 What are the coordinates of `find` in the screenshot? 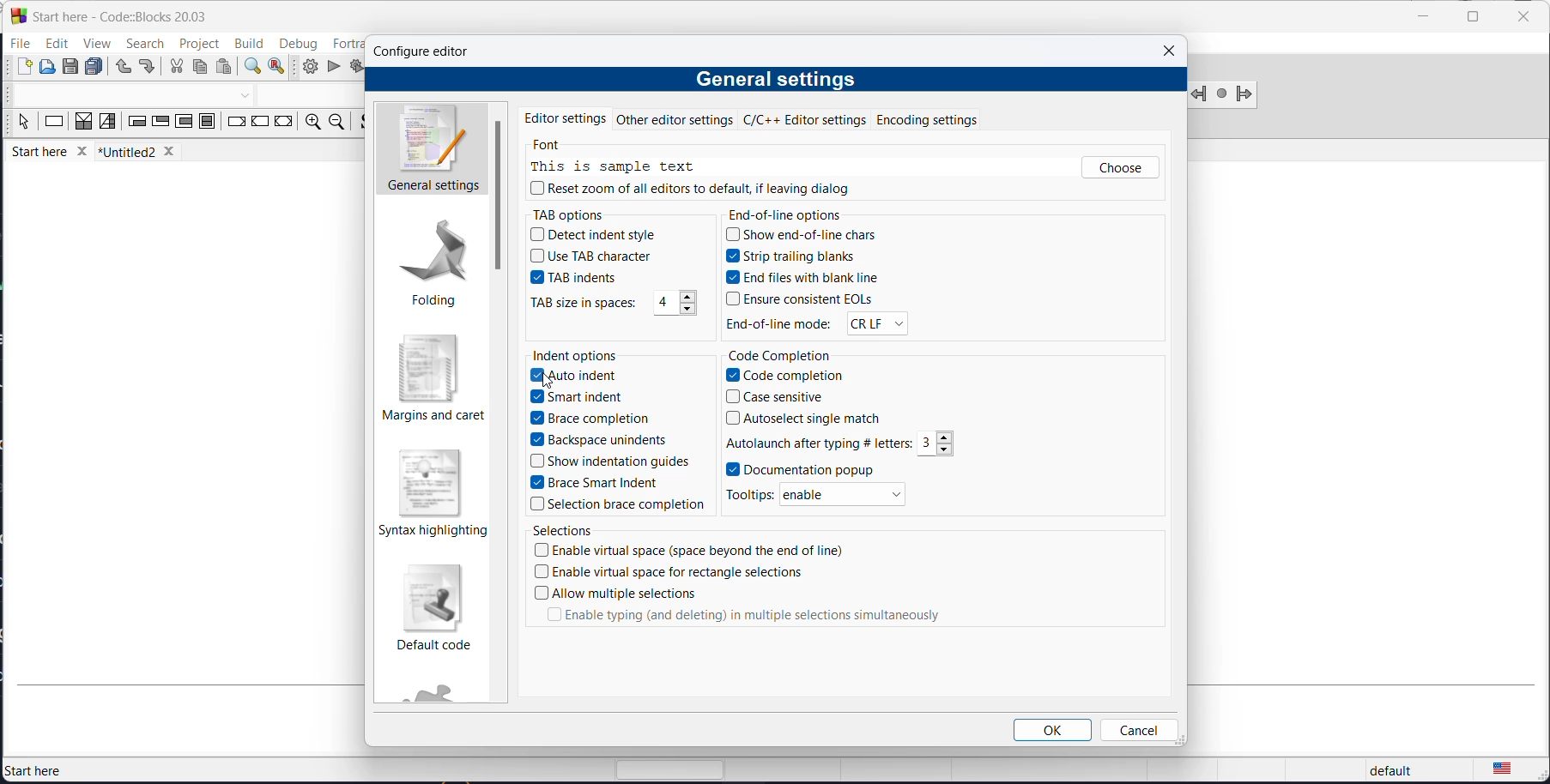 It's located at (251, 69).